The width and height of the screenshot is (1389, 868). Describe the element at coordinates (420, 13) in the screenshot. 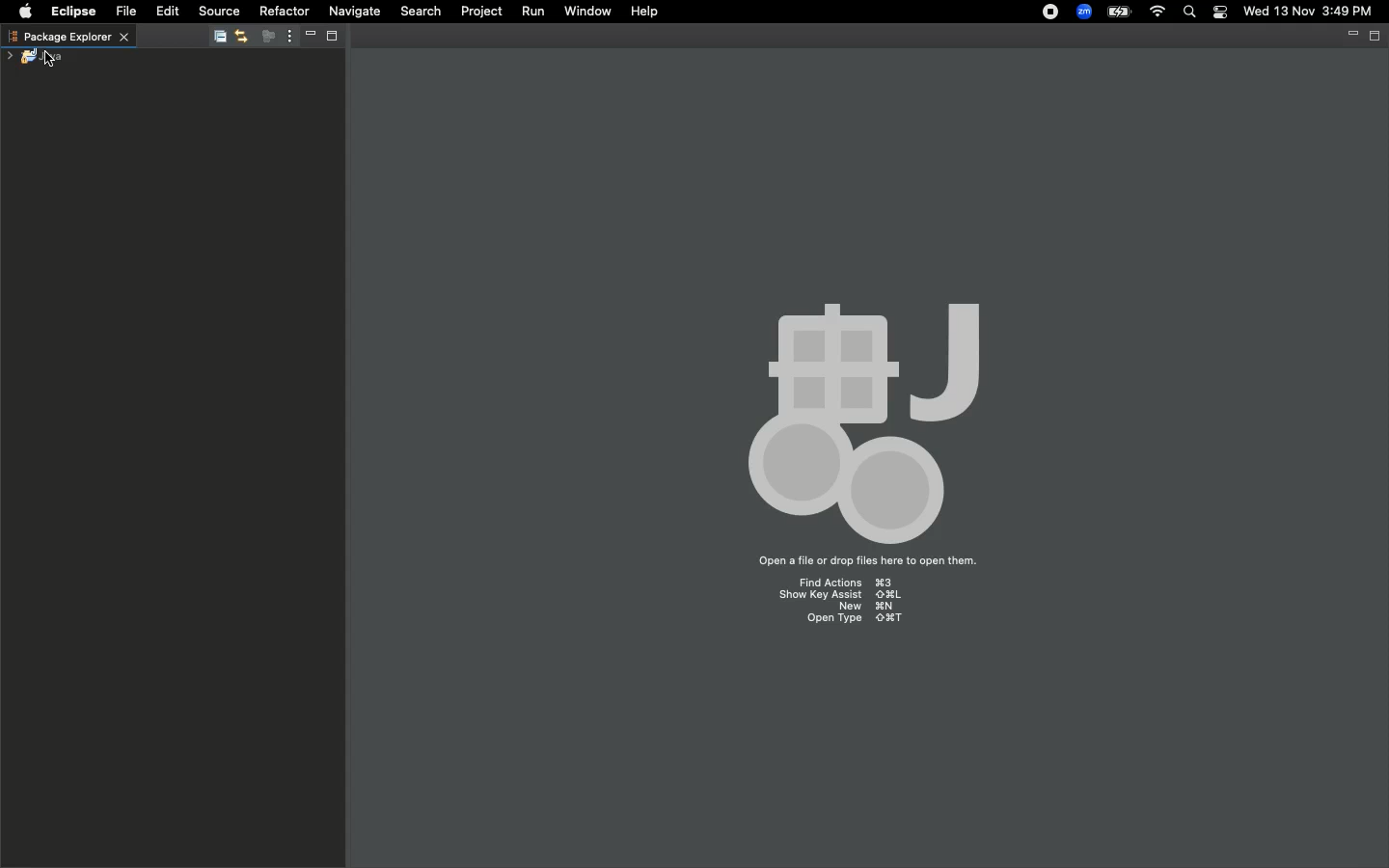

I see `Search` at that location.